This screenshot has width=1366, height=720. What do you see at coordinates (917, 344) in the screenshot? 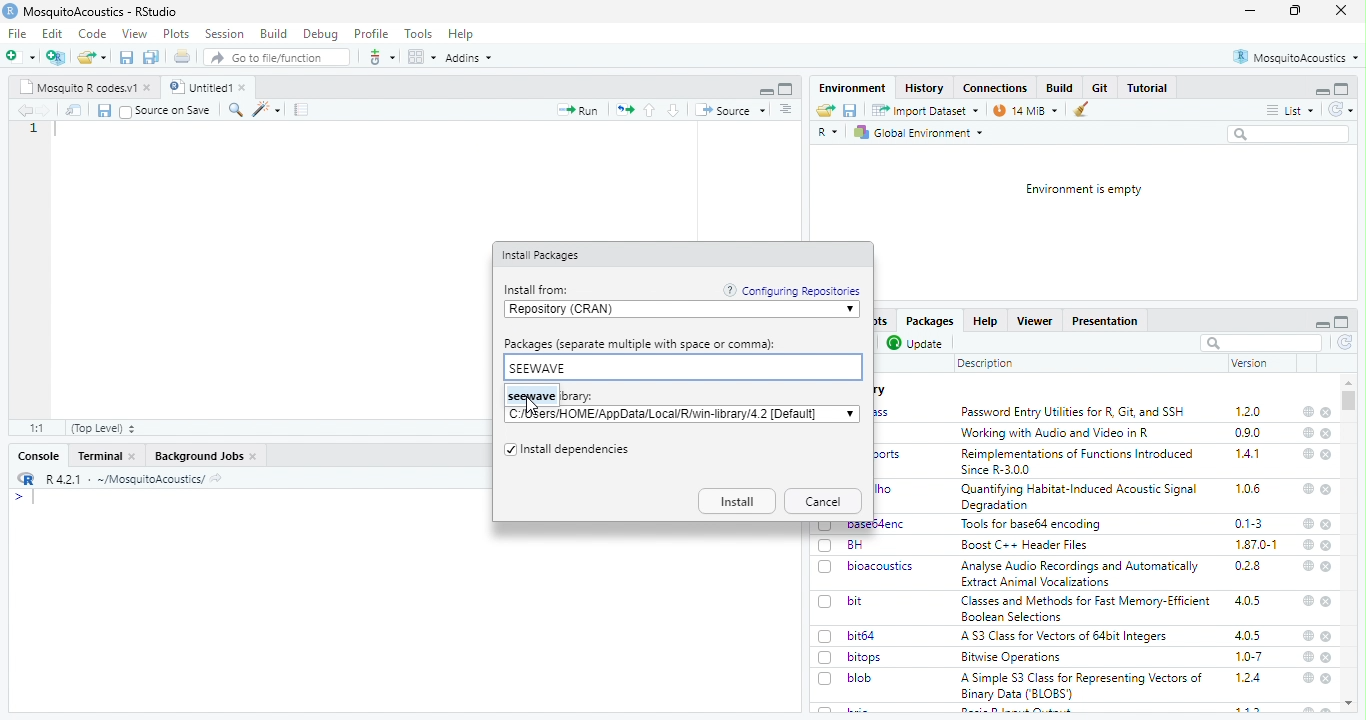
I see `update` at bounding box center [917, 344].